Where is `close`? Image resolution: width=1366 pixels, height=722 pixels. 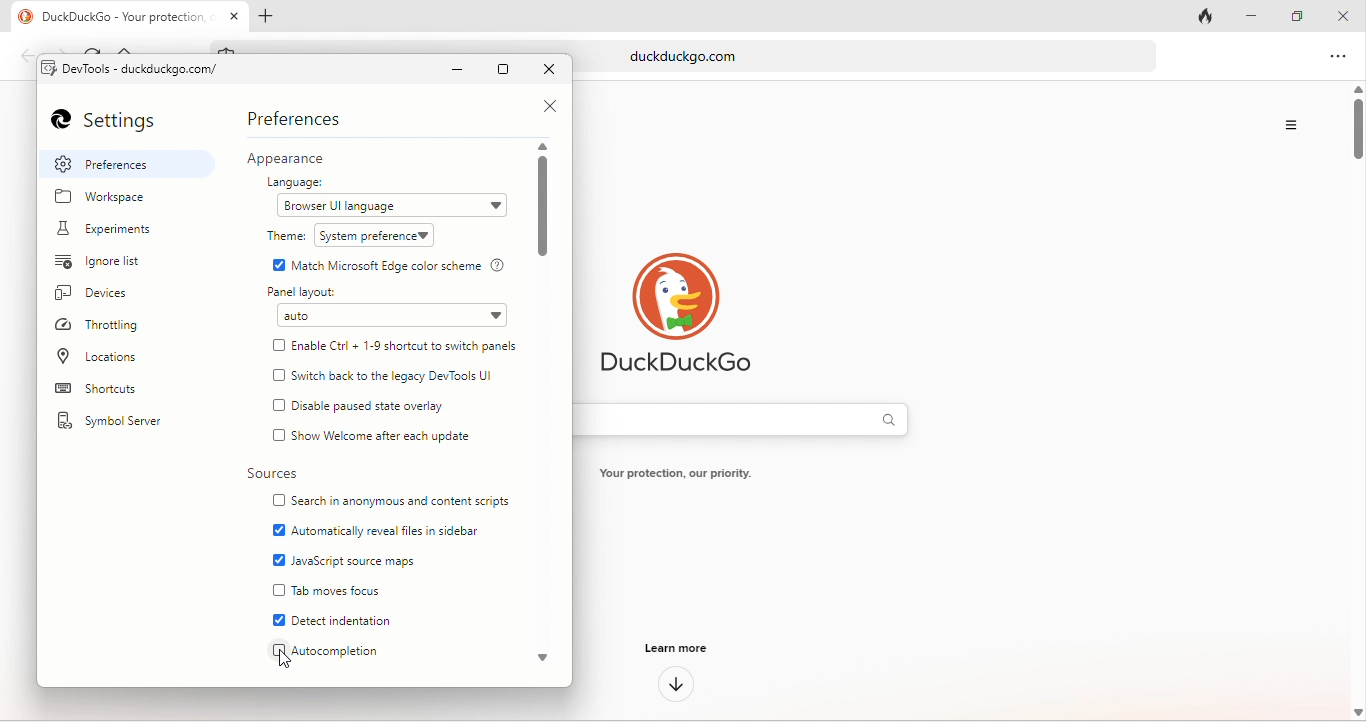
close is located at coordinates (543, 106).